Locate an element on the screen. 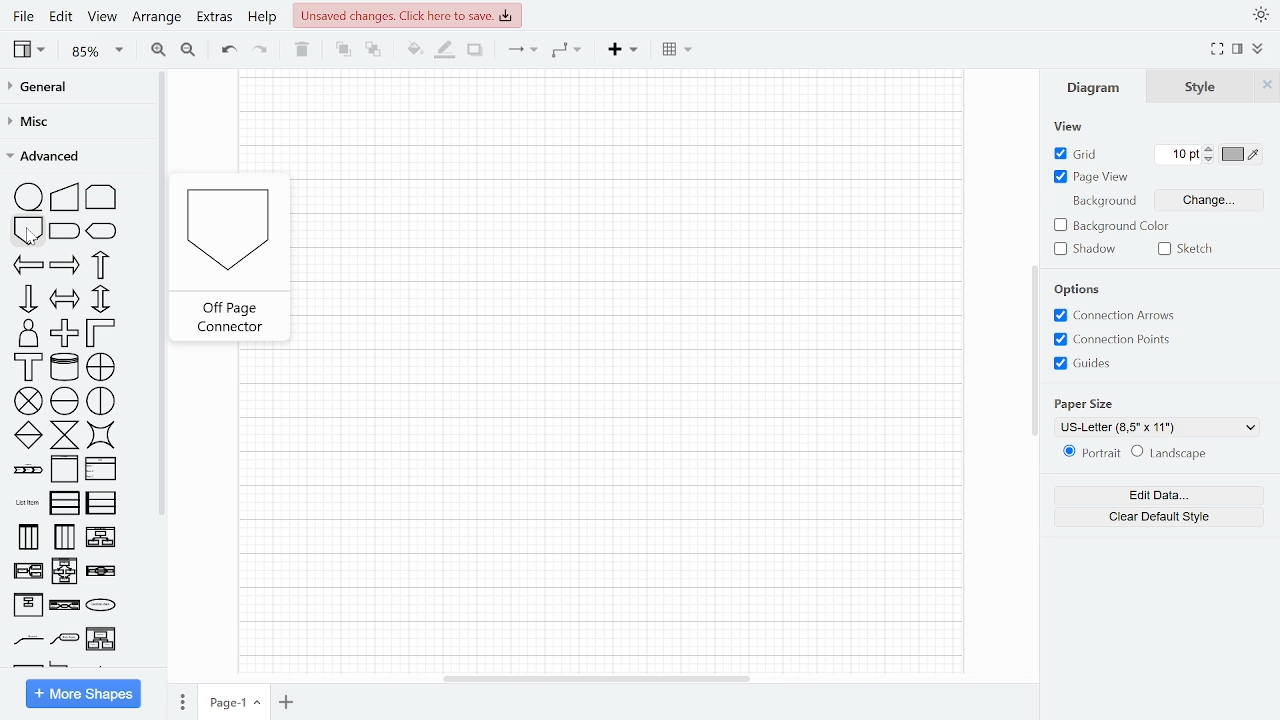 The height and width of the screenshot is (720, 1280). Options is located at coordinates (1078, 291).